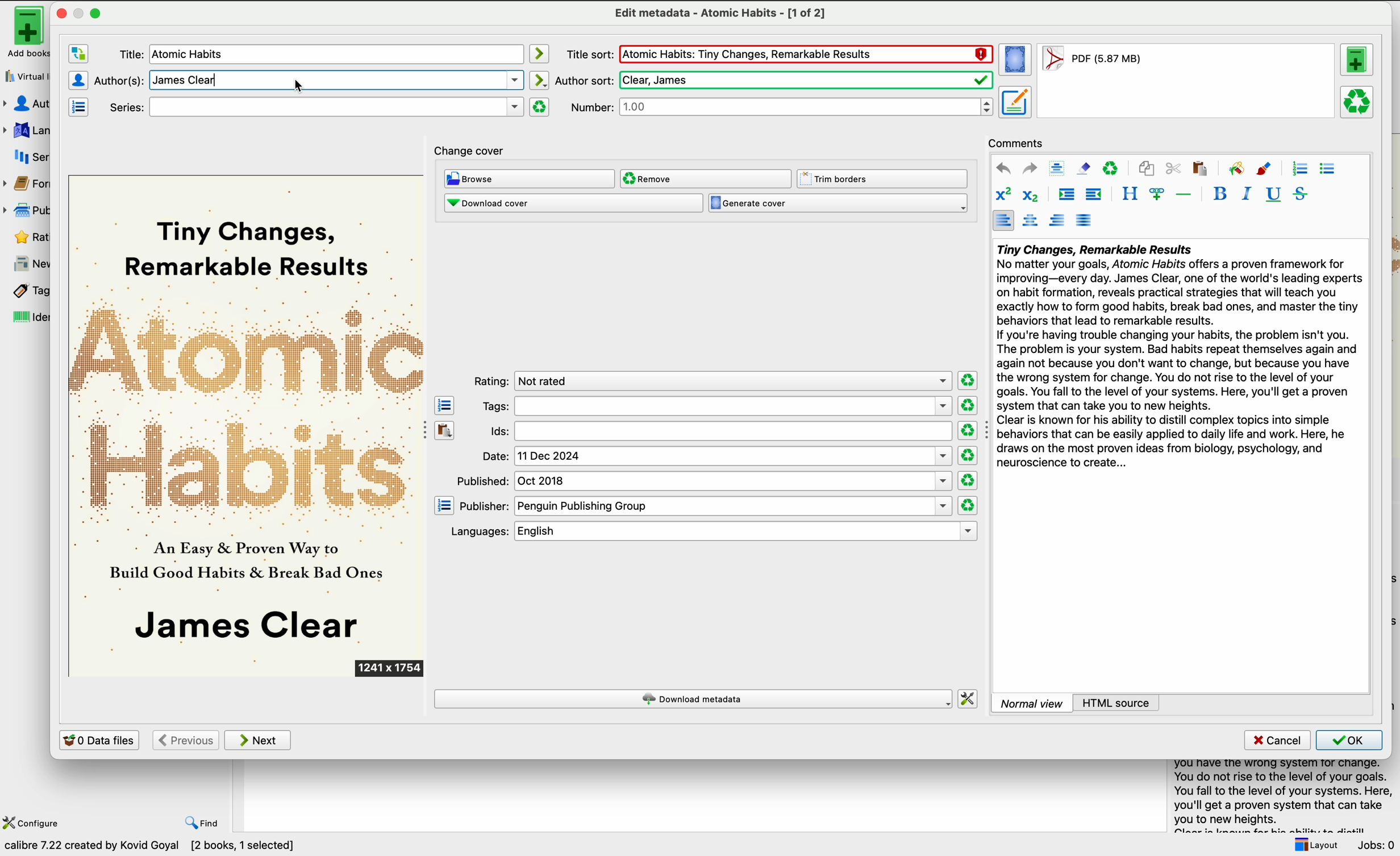 This screenshot has width=1400, height=856. Describe the element at coordinates (1084, 168) in the screenshot. I see `remove formatting` at that location.